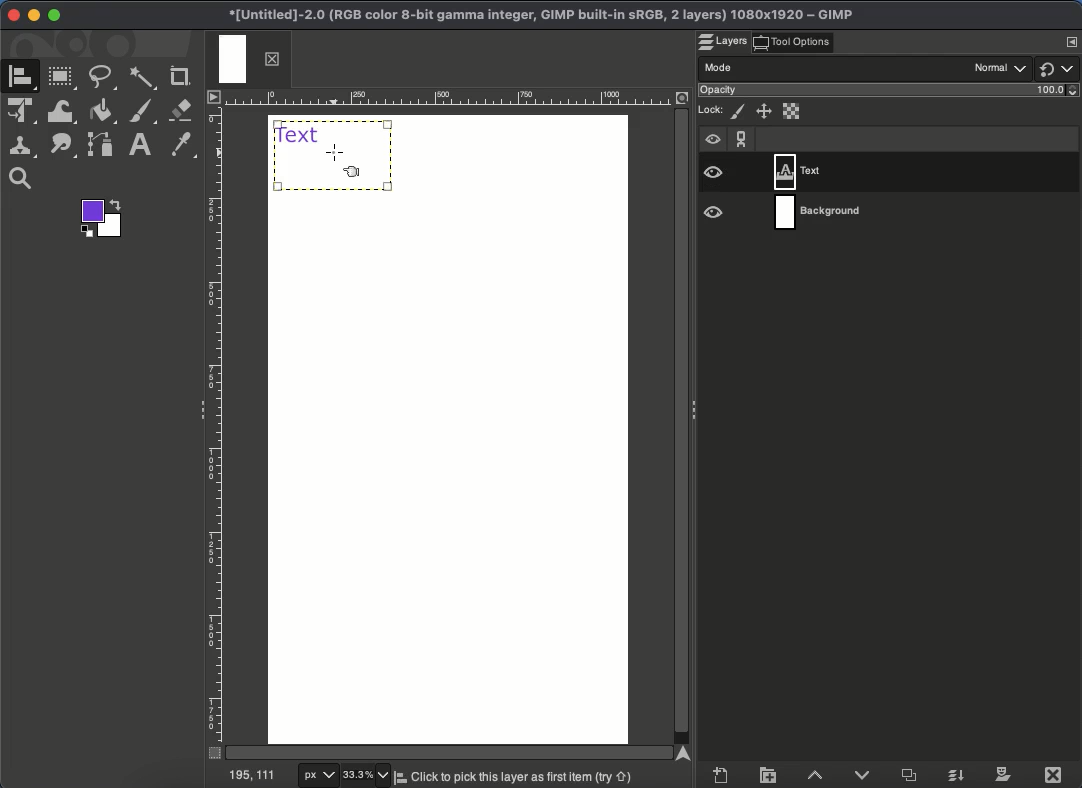 The width and height of the screenshot is (1082, 788). I want to click on Scroll, so click(453, 751).